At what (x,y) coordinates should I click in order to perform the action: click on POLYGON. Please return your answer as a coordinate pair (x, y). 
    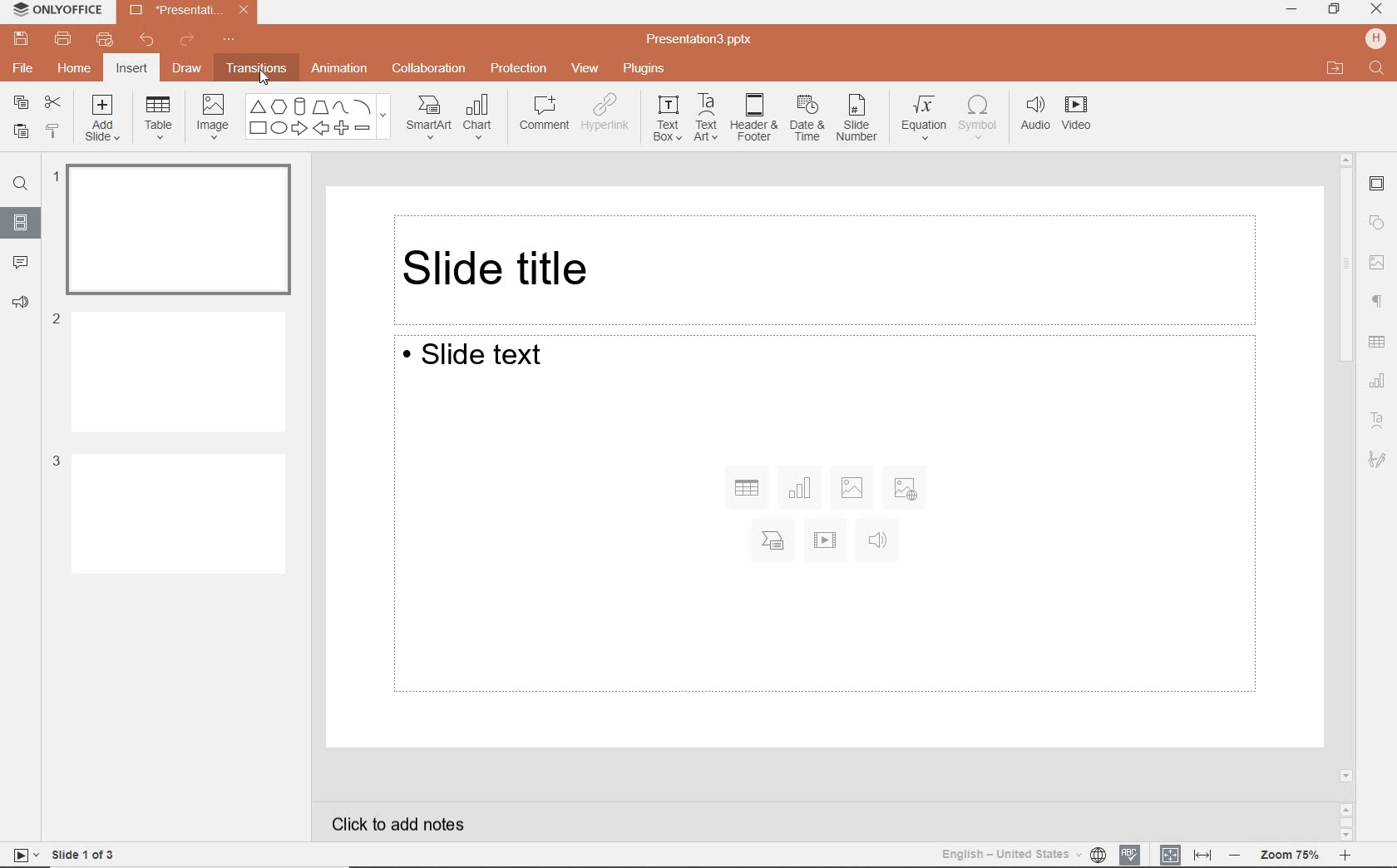
    Looking at the image, I should click on (279, 106).